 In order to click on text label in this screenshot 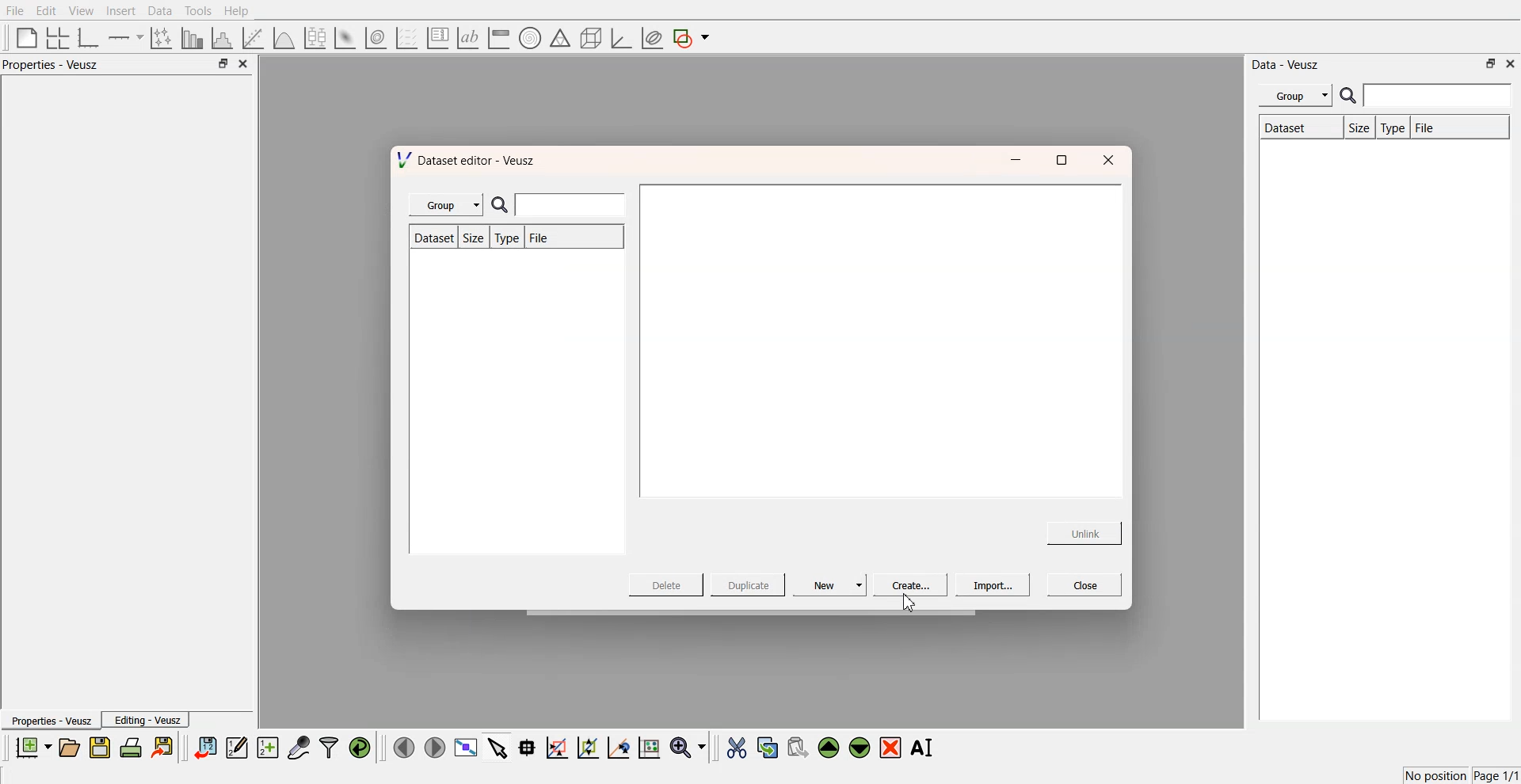, I will do `click(466, 38)`.